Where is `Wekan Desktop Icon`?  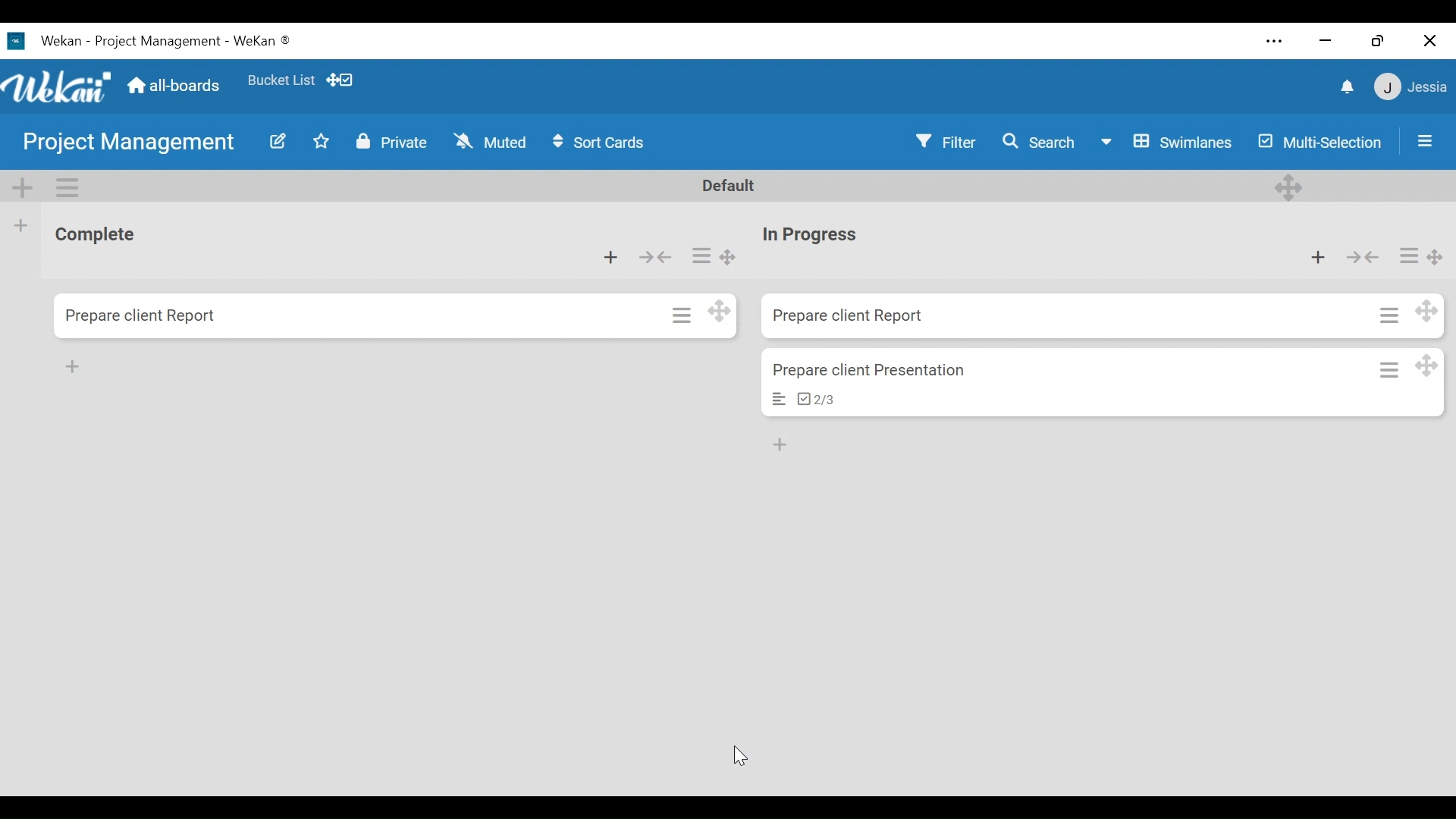 Wekan Desktop Icon is located at coordinates (162, 39).